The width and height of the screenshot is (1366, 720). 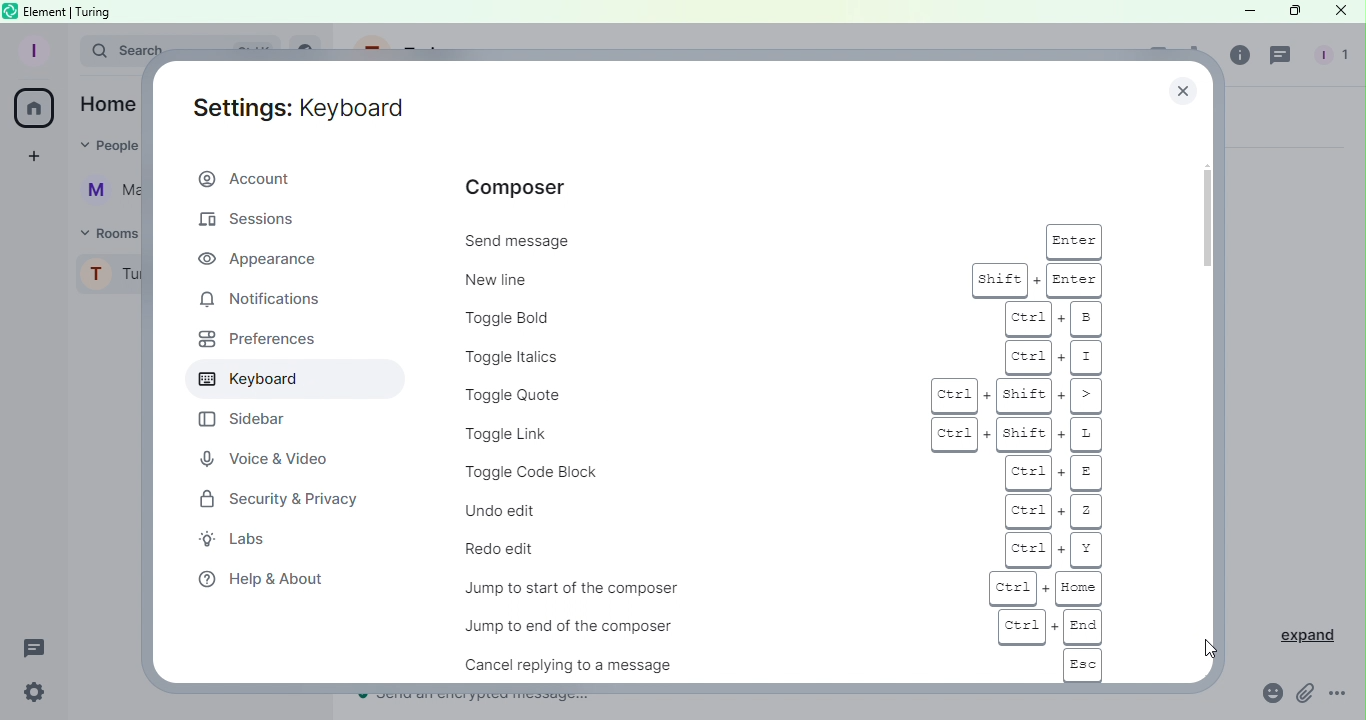 I want to click on Threads, so click(x=1282, y=57).